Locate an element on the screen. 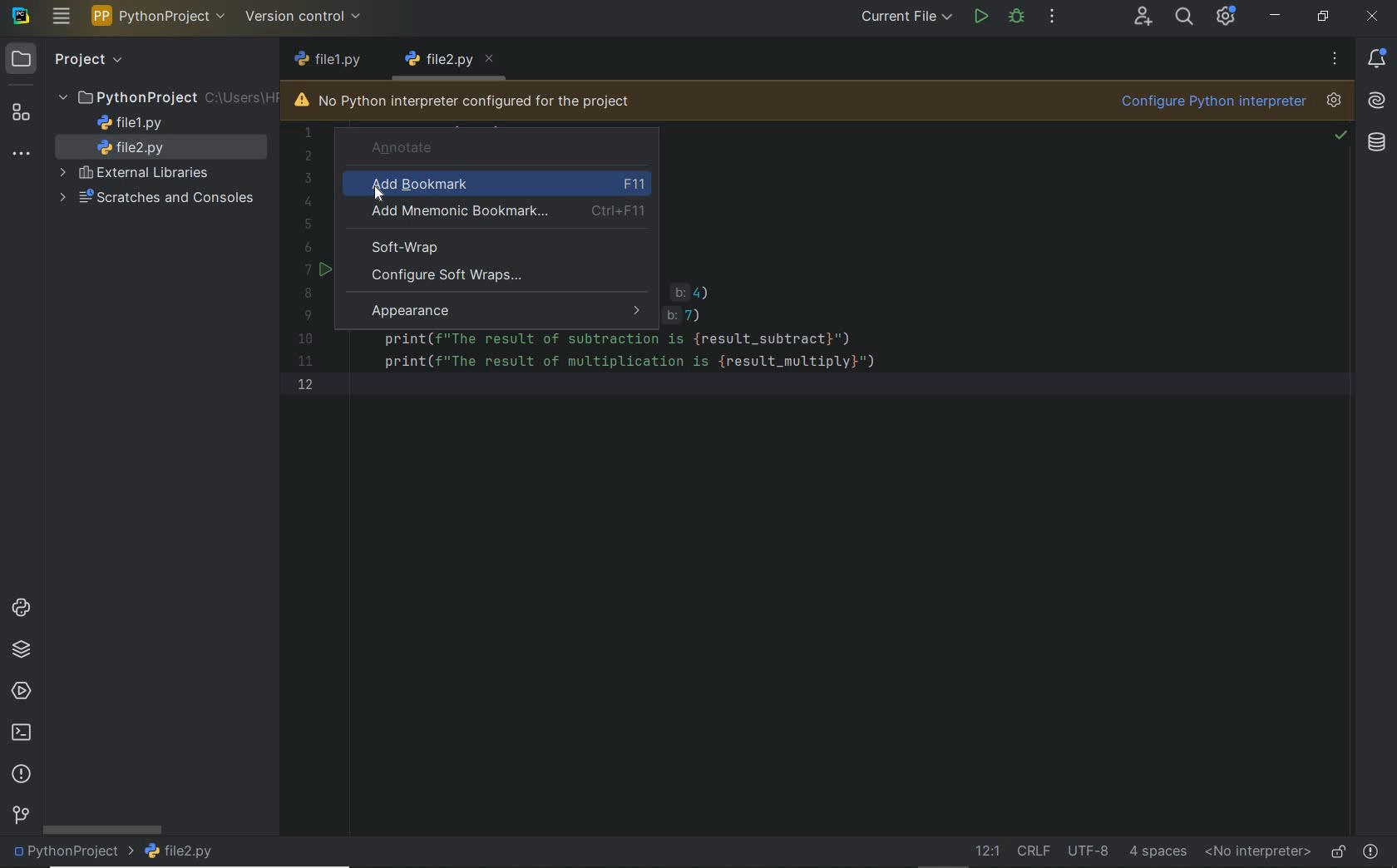  file encoding is located at coordinates (1089, 850).